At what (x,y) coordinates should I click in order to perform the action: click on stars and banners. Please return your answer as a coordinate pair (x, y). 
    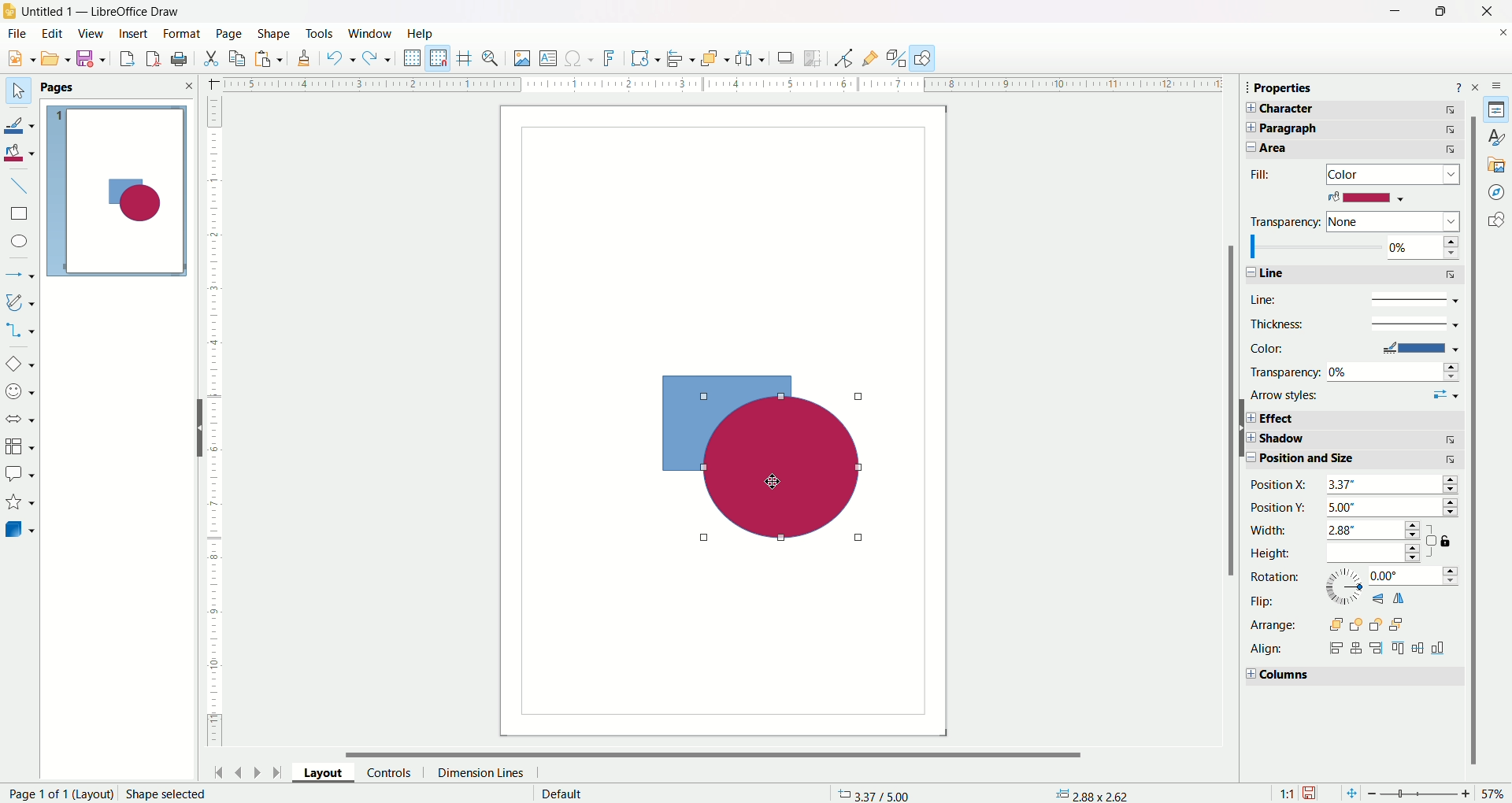
    Looking at the image, I should click on (20, 502).